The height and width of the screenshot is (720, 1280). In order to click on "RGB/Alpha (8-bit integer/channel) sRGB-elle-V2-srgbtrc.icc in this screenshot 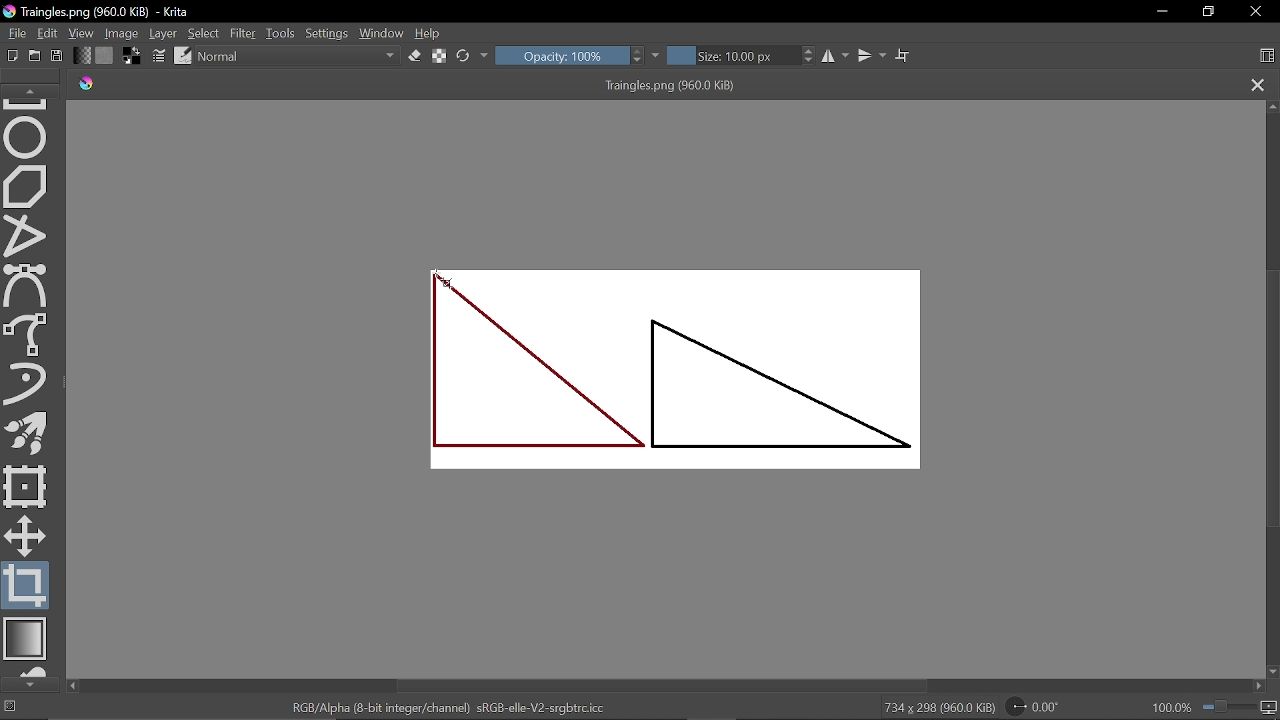, I will do `click(448, 707)`.